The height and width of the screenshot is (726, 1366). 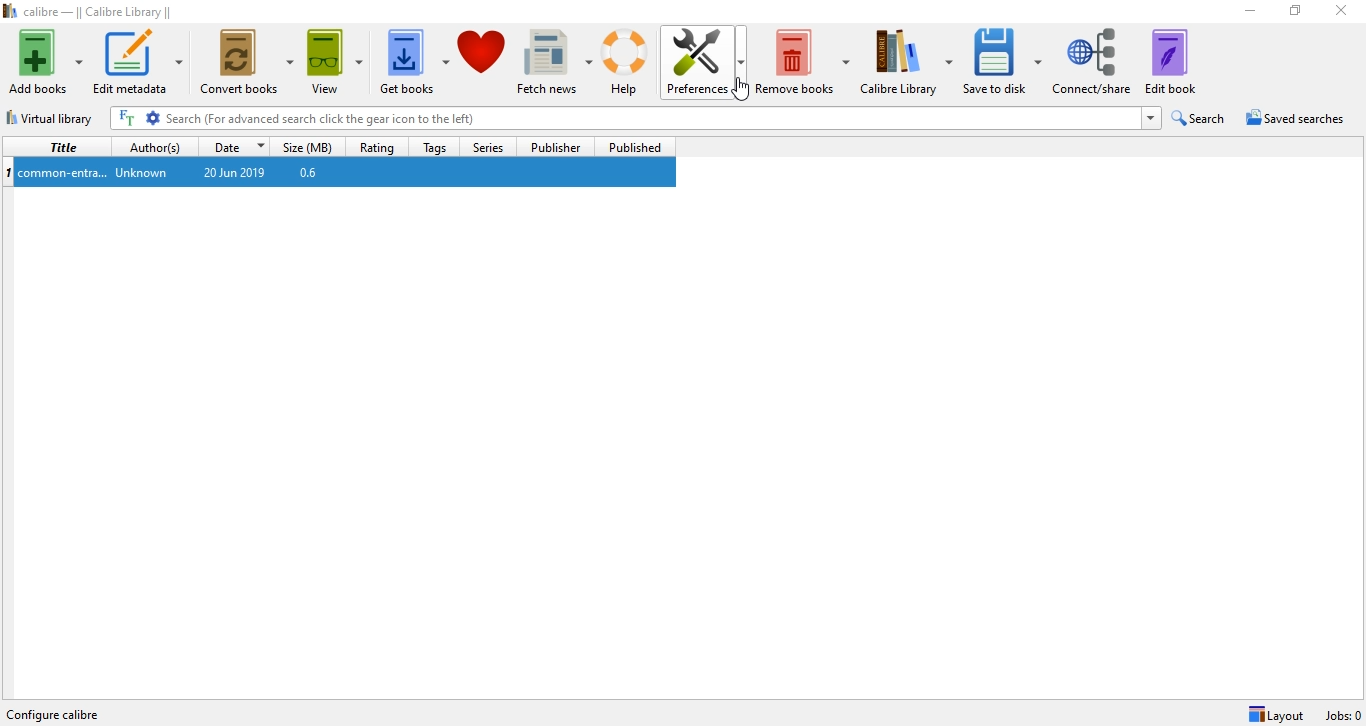 I want to click on Saves searches, so click(x=1298, y=120).